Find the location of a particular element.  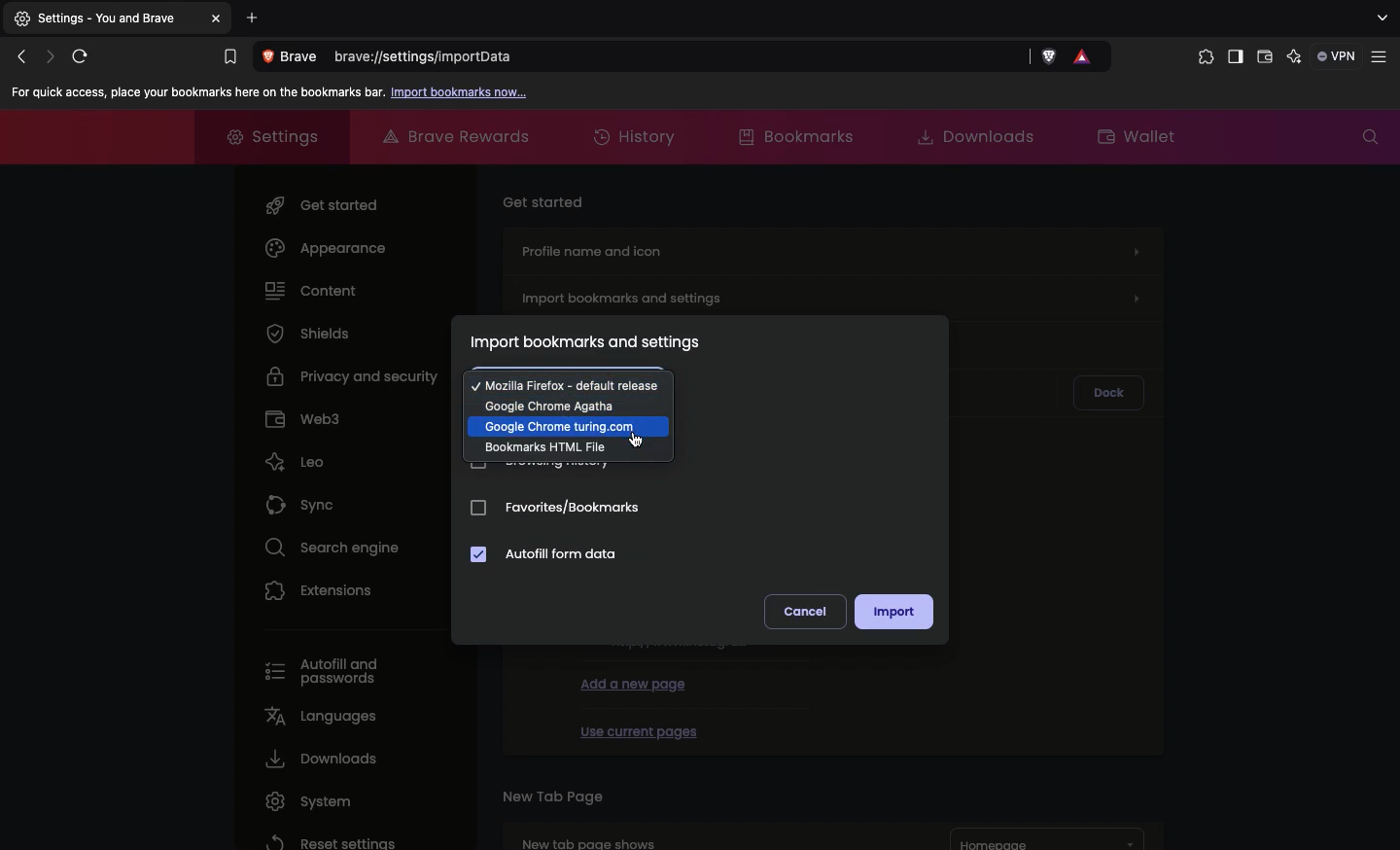

 is located at coordinates (219, 18).